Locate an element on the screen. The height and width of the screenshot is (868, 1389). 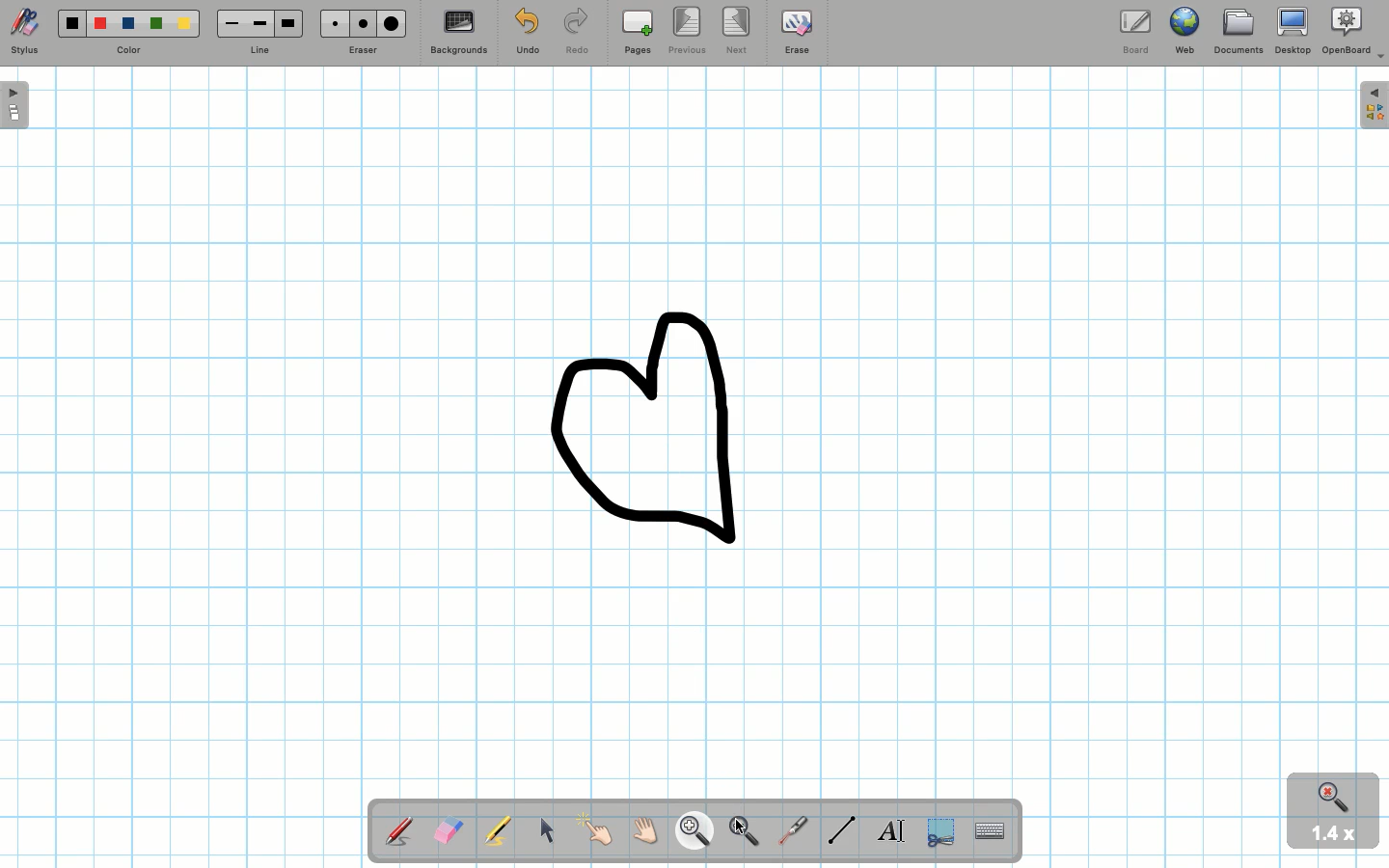
Line is located at coordinates (259, 32).